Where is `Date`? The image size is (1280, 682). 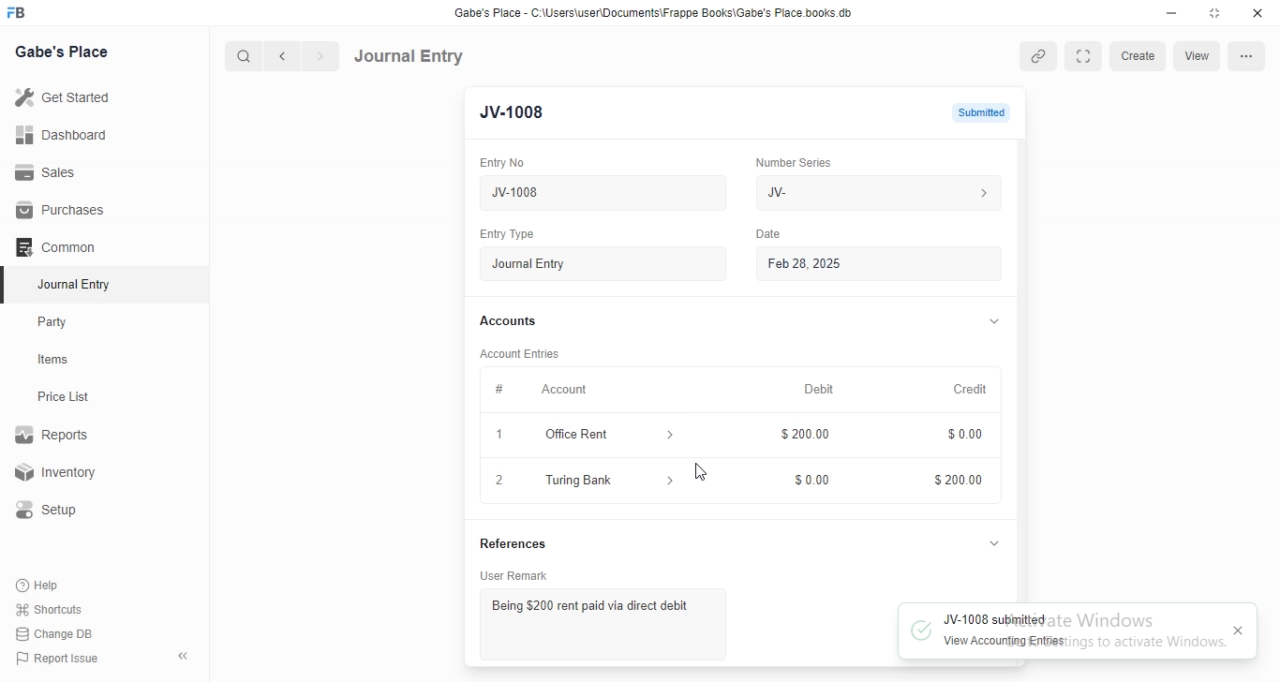
Date is located at coordinates (771, 233).